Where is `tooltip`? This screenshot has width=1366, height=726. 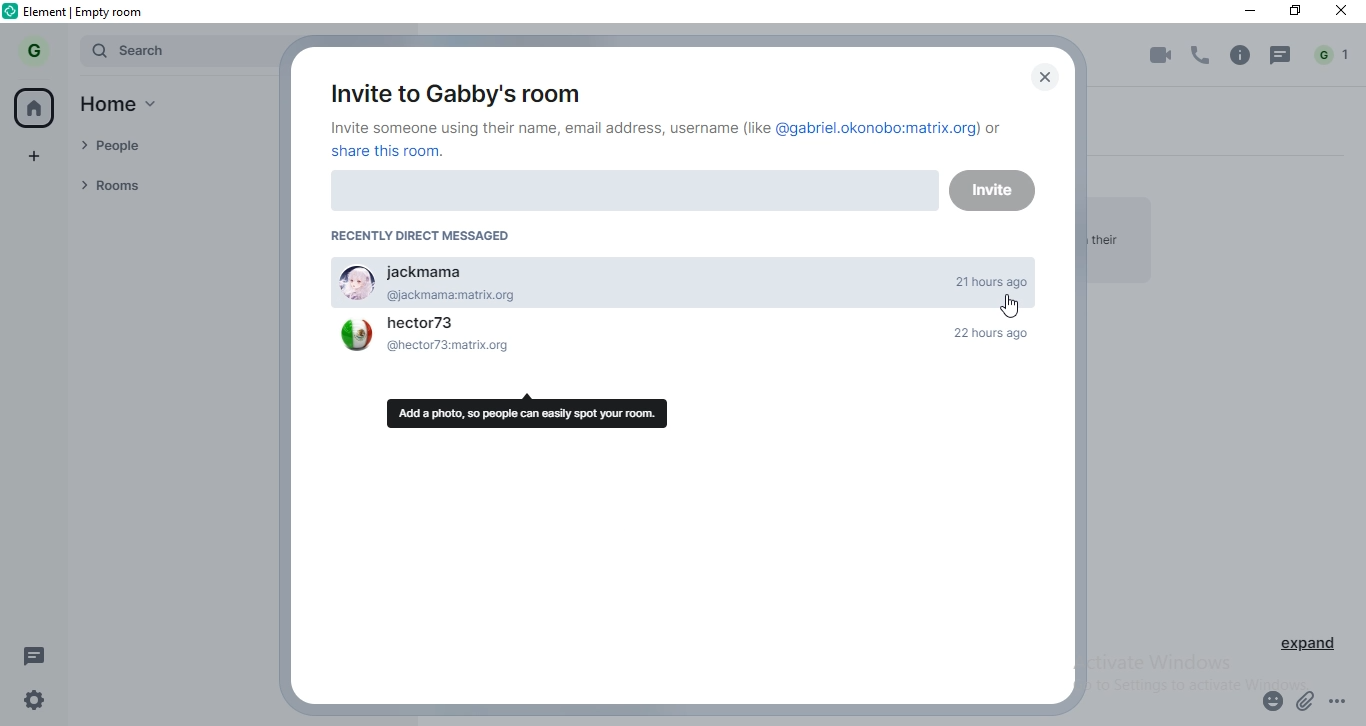 tooltip is located at coordinates (531, 411).